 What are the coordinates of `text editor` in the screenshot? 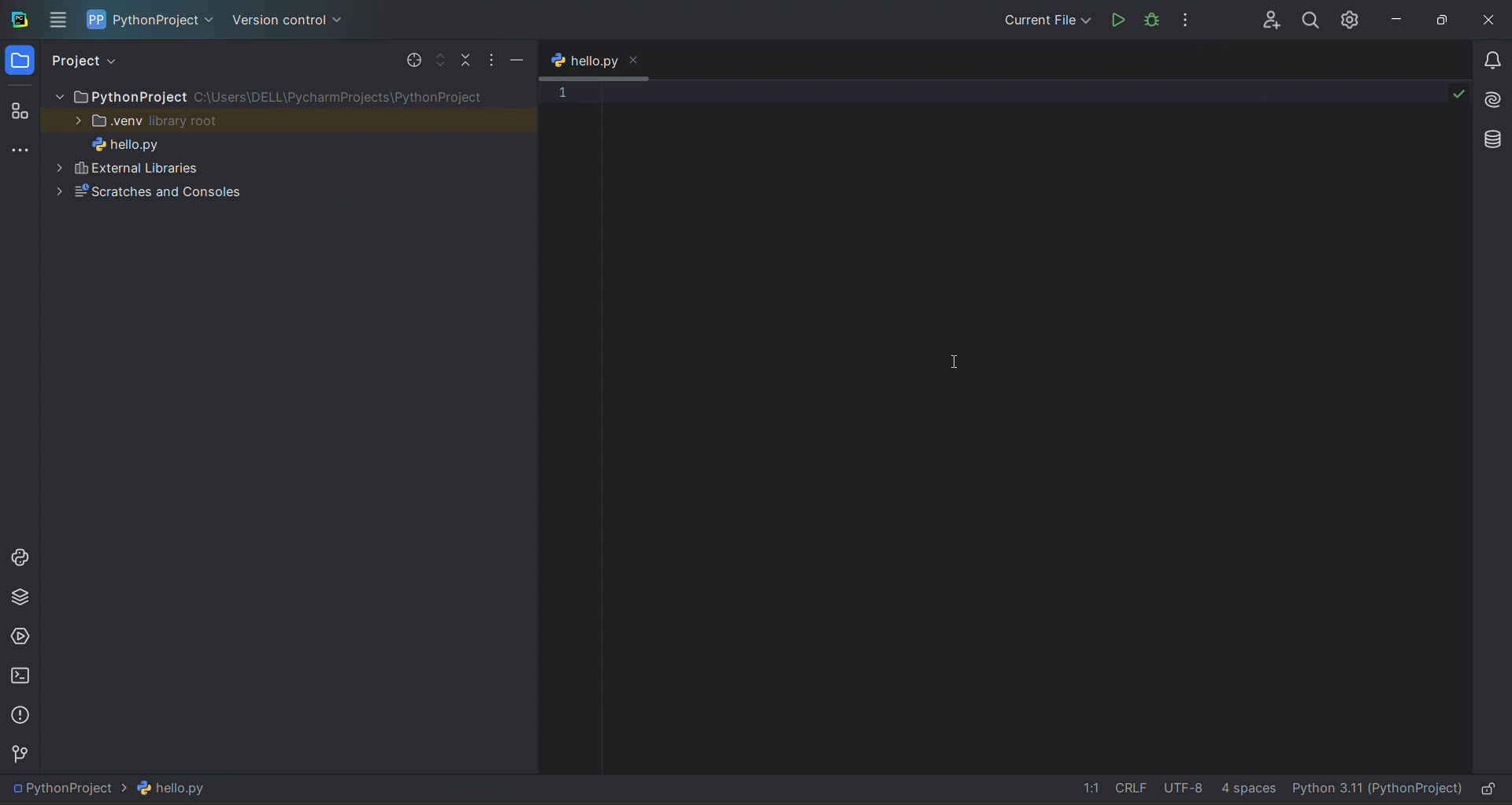 It's located at (1002, 425).